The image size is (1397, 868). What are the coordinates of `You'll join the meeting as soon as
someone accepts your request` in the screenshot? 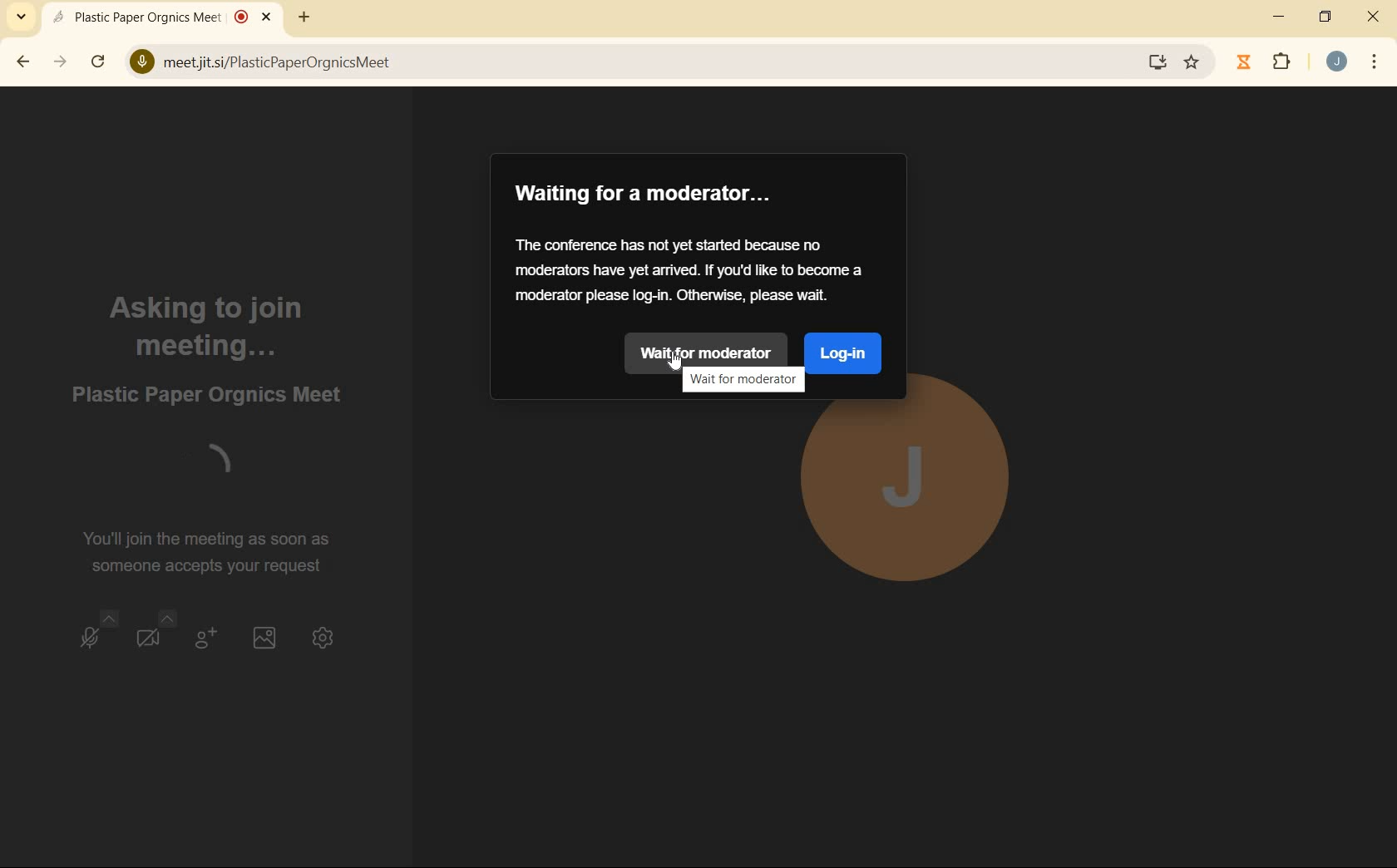 It's located at (214, 551).